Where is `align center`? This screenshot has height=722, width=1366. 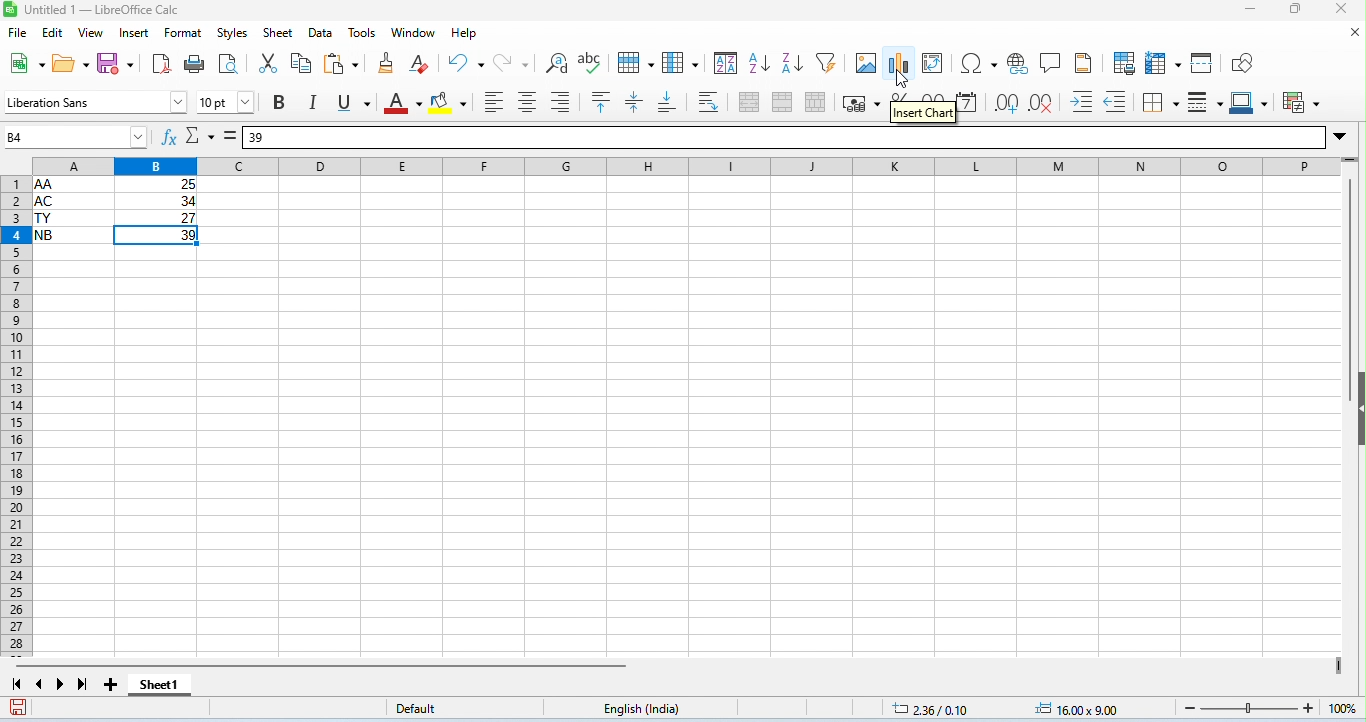 align center is located at coordinates (527, 103).